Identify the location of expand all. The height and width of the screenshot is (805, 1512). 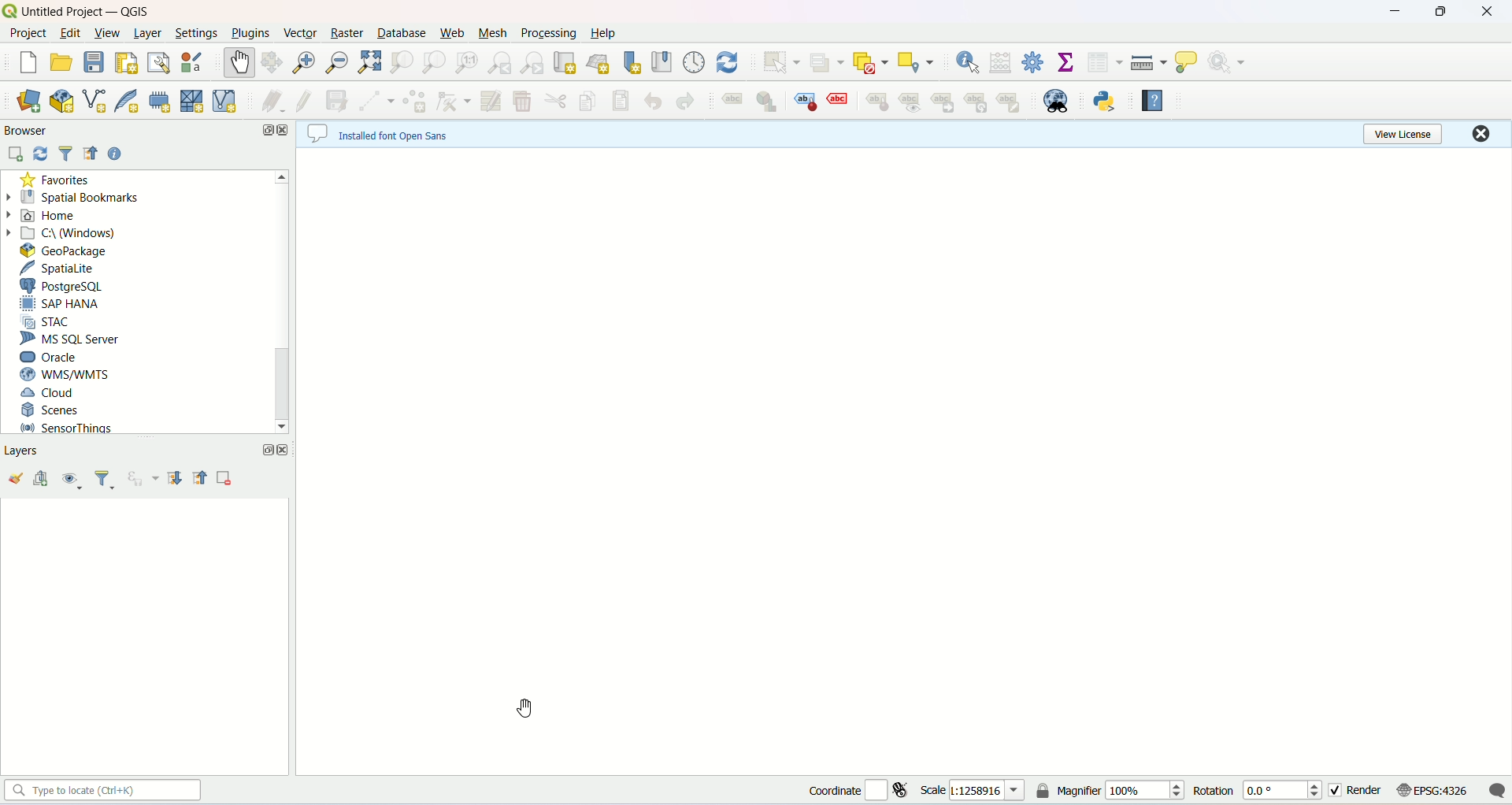
(176, 479).